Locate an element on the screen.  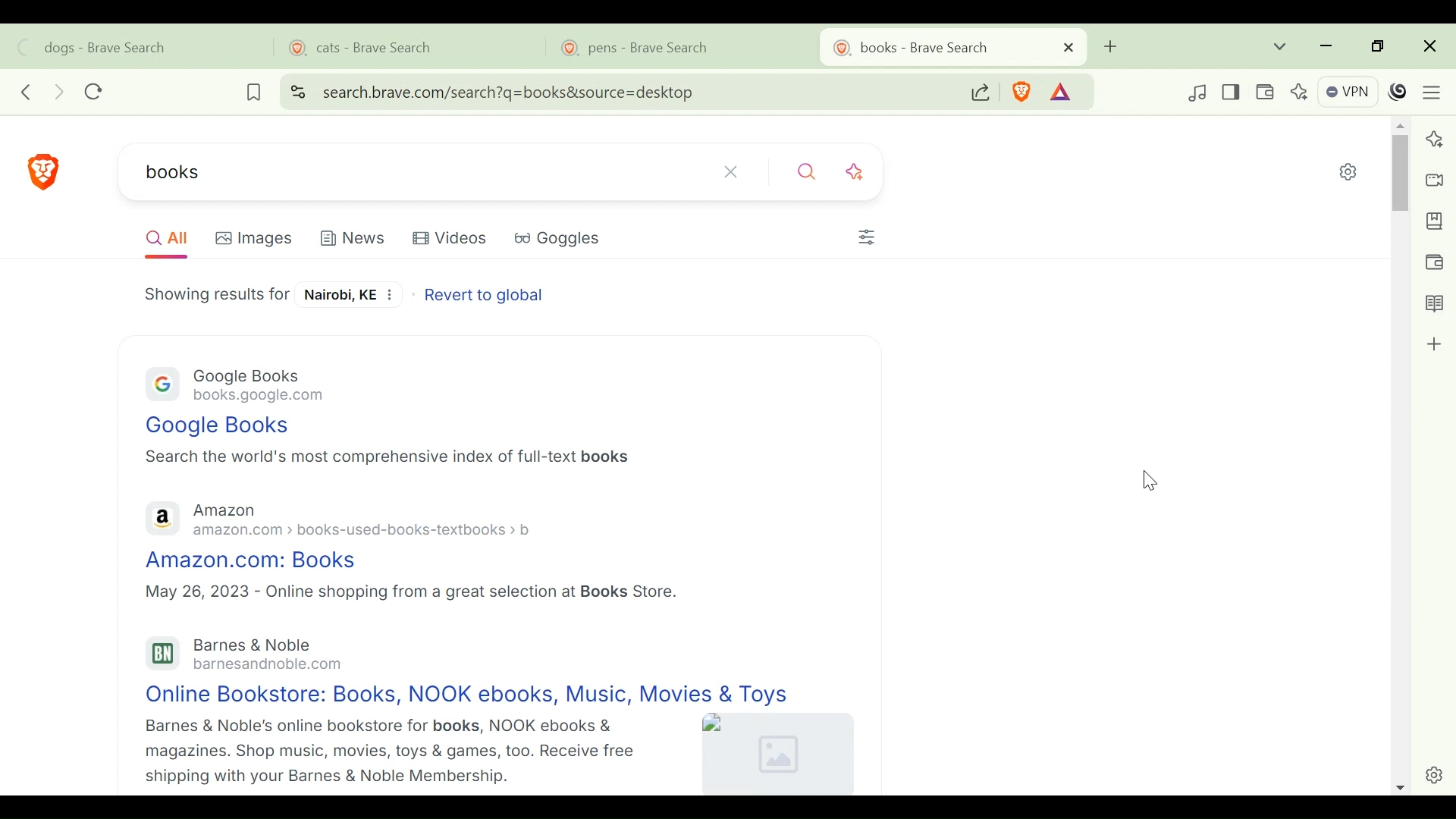
BOOKMARK is located at coordinates (249, 93).